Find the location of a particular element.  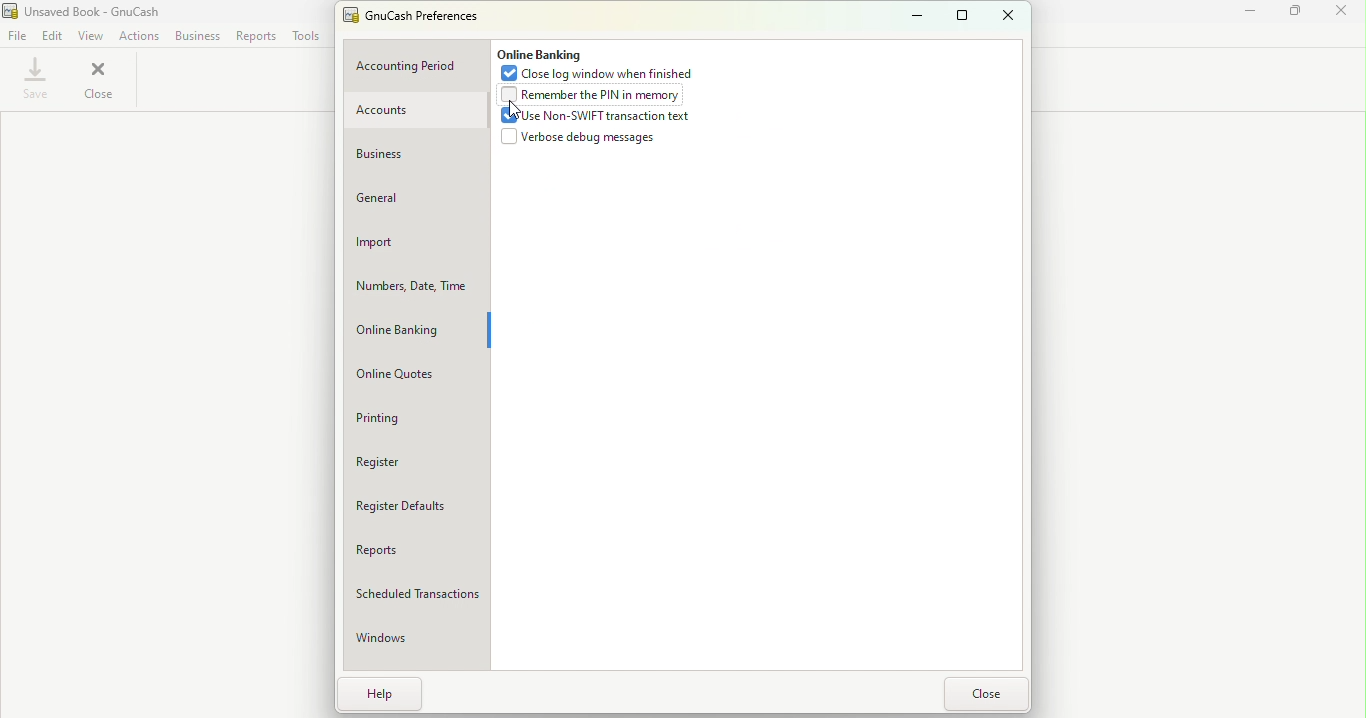

Minimize is located at coordinates (1254, 15).